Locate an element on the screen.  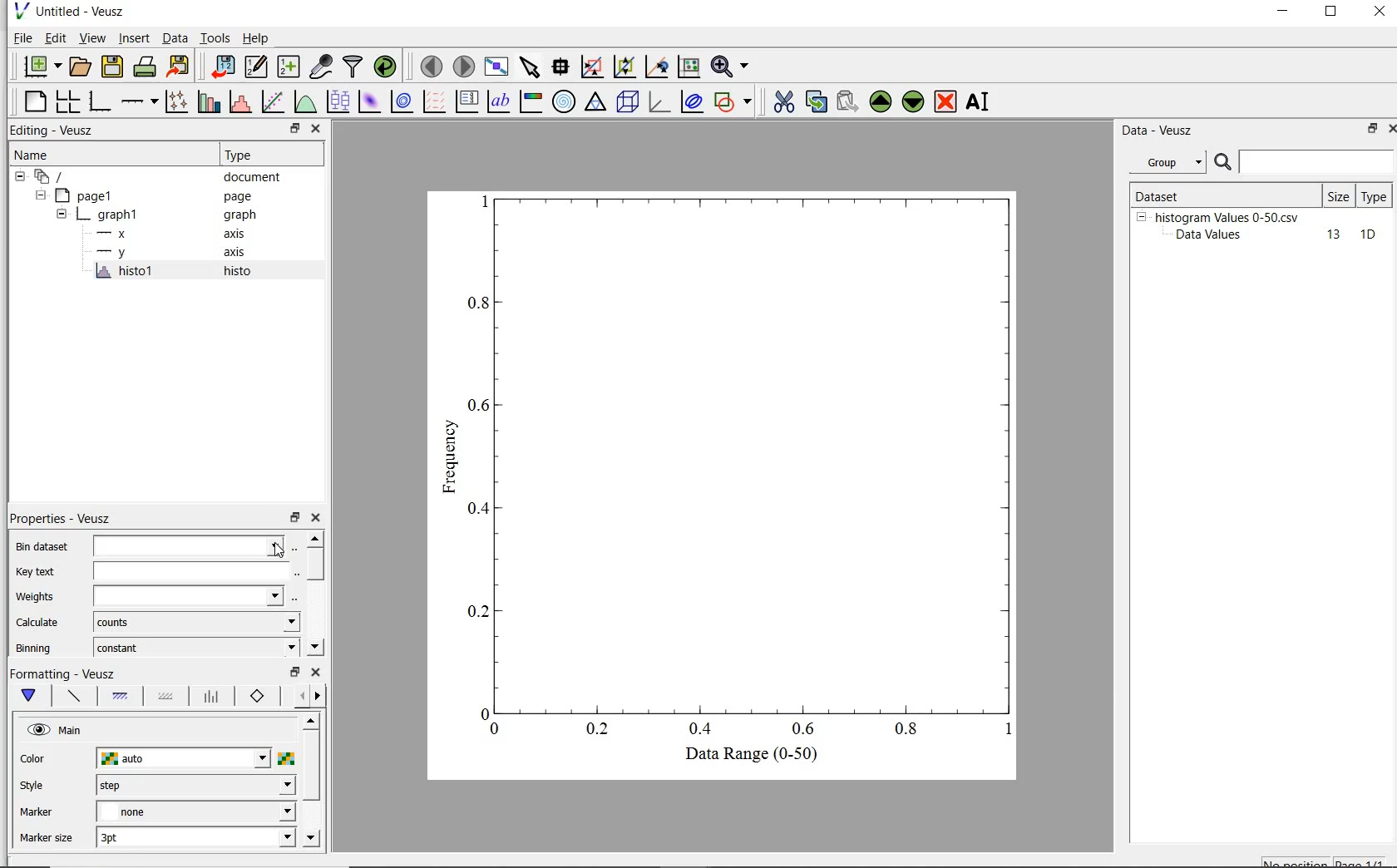
page1 is located at coordinates (87, 197).